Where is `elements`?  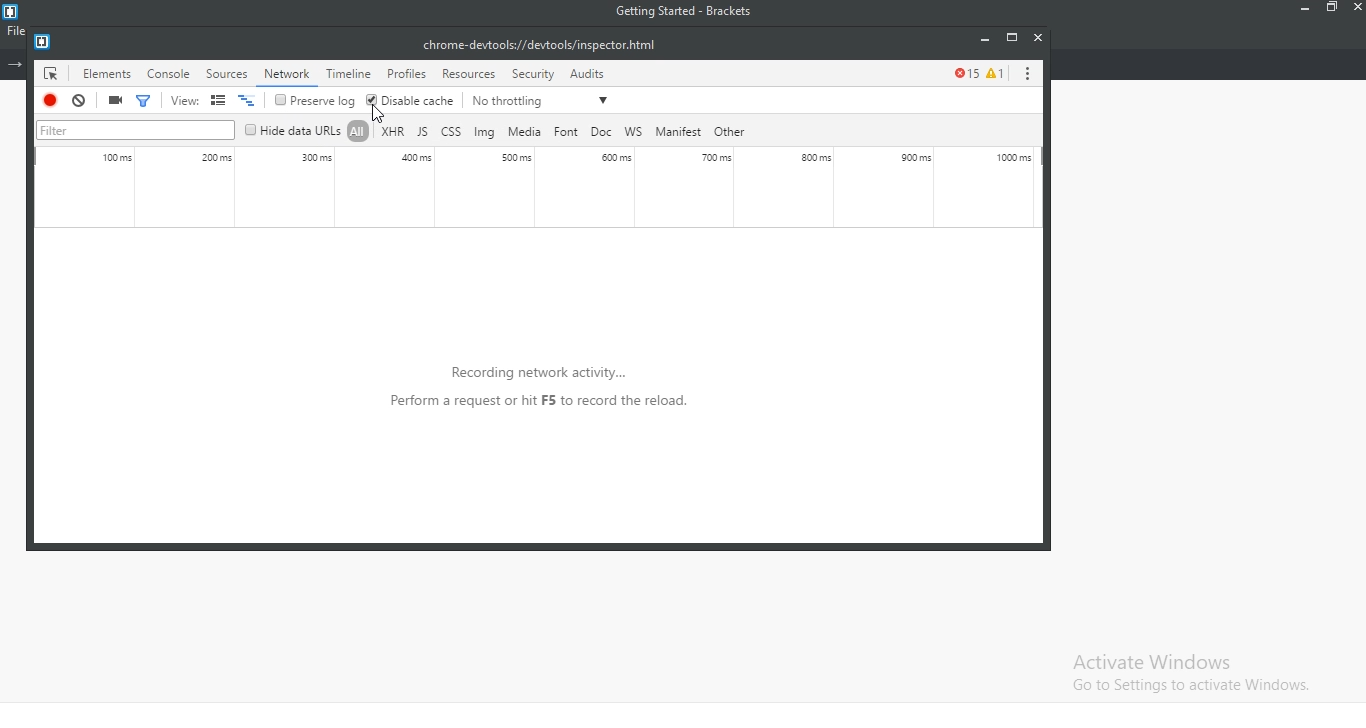 elements is located at coordinates (104, 75).